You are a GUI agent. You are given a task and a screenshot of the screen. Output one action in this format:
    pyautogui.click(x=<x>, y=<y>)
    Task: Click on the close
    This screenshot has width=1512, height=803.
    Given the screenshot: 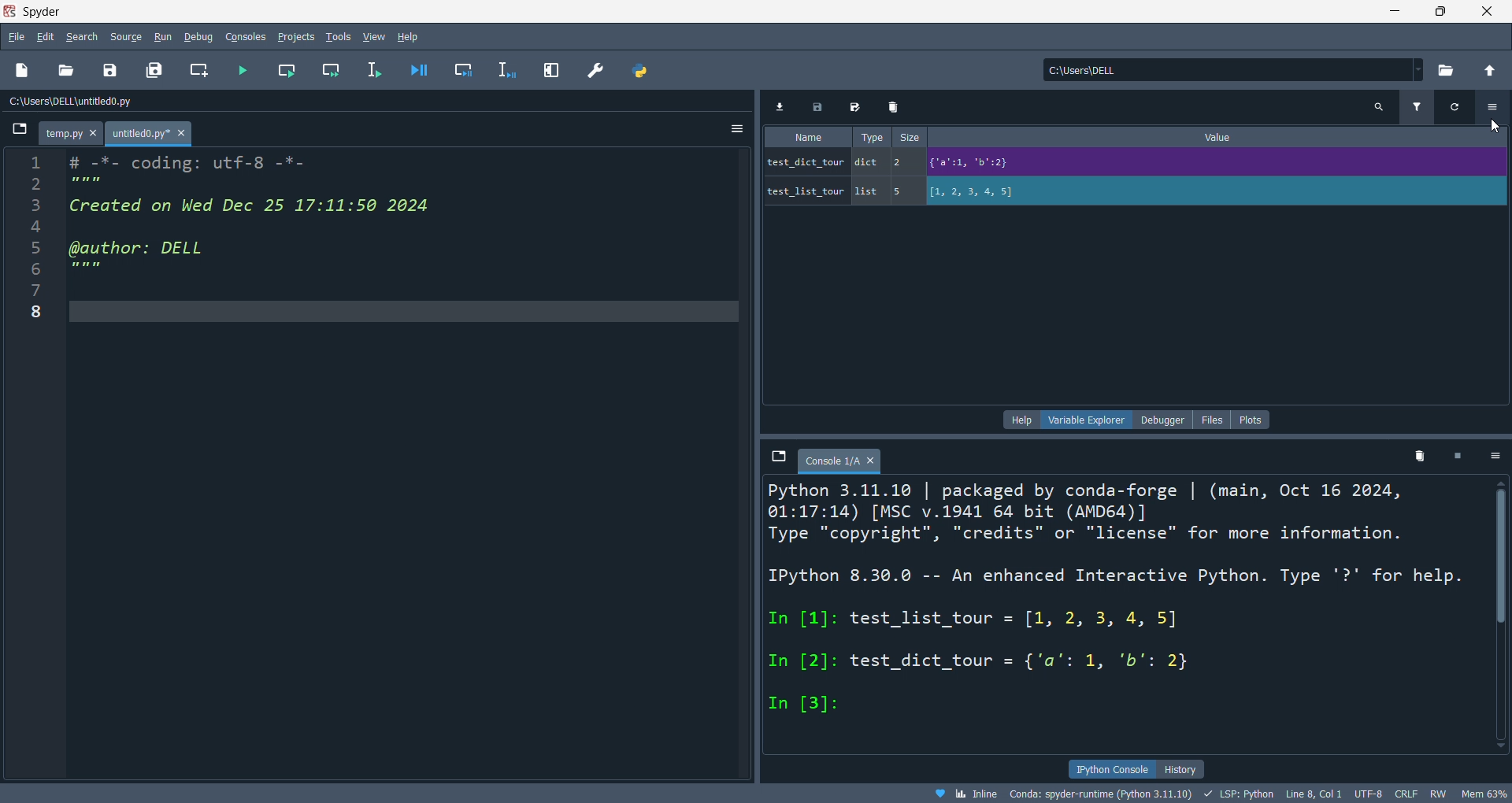 What is the action you would take?
    pyautogui.click(x=1488, y=12)
    